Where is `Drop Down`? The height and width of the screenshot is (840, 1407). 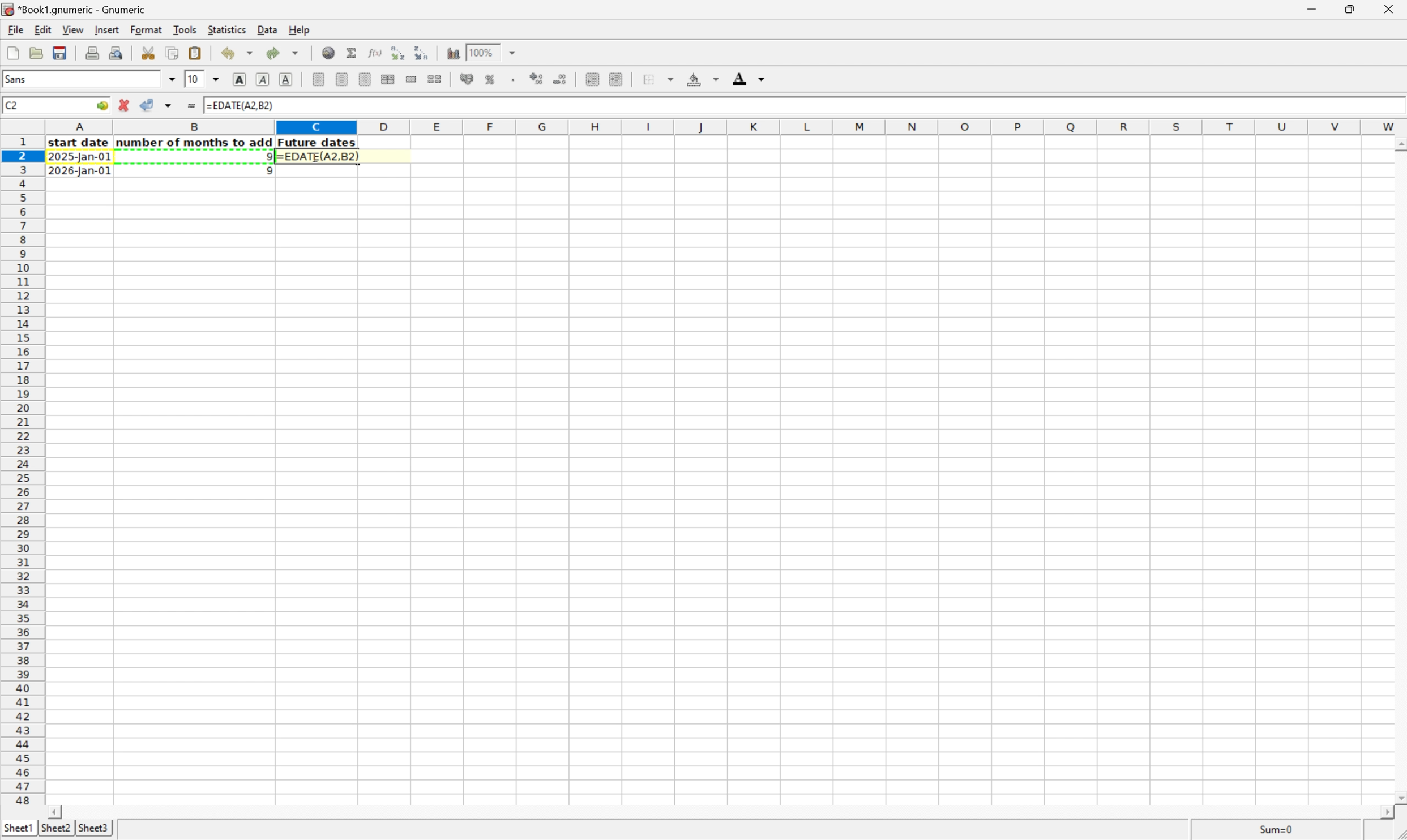
Drop Down is located at coordinates (173, 79).